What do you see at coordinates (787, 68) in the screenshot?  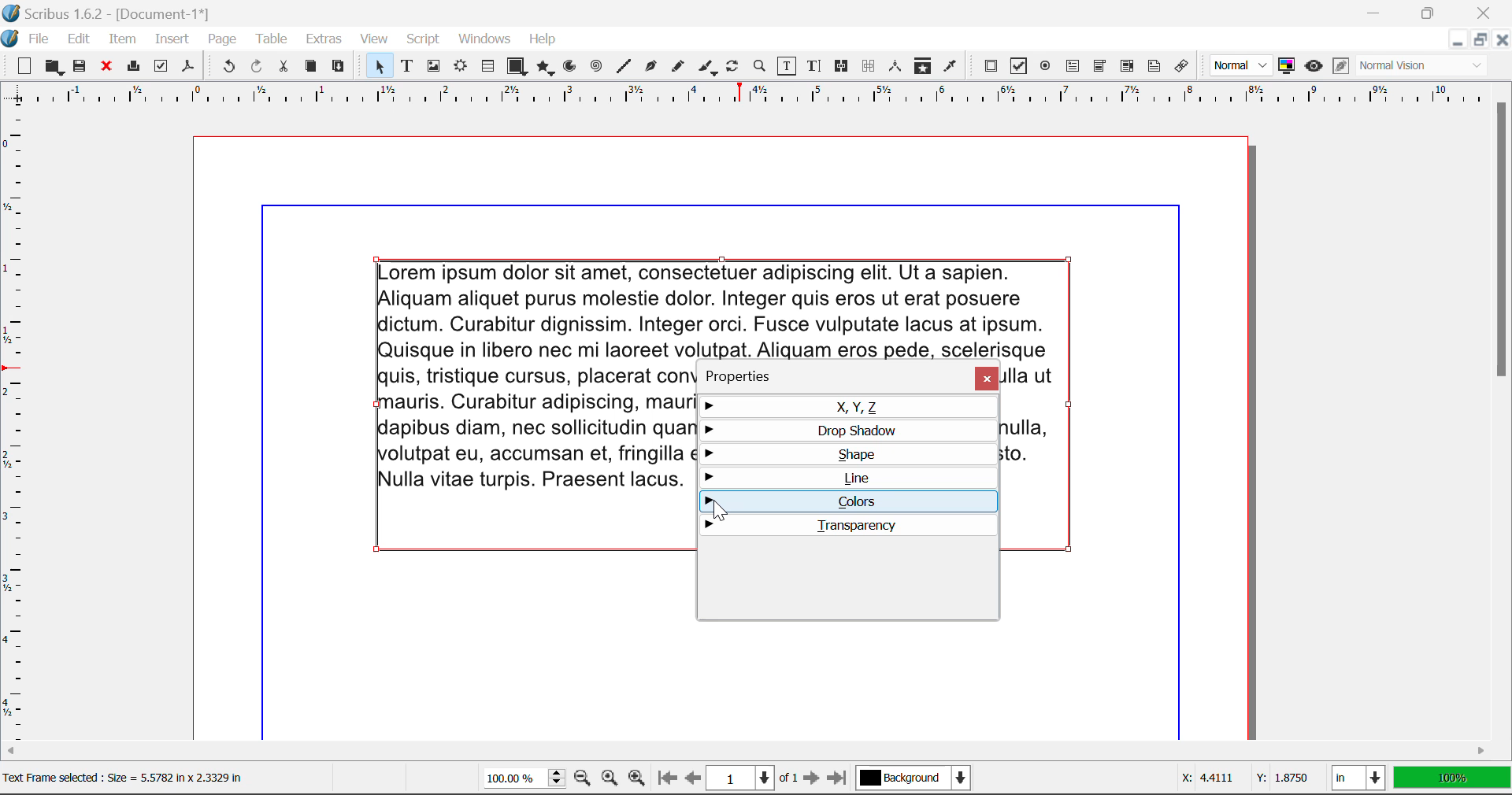 I see `Edit Contents of Frame` at bounding box center [787, 68].